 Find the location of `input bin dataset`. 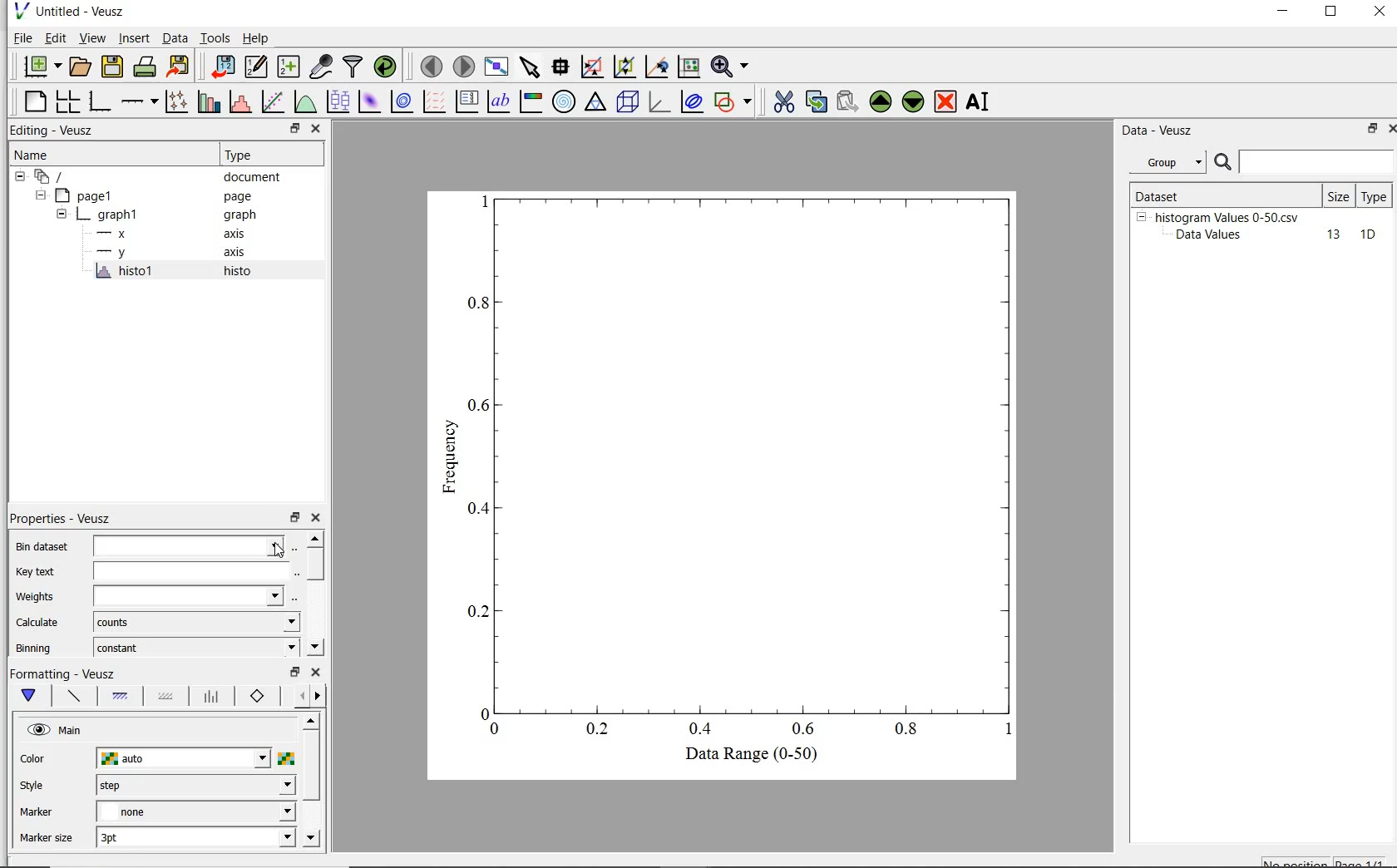

input bin dataset is located at coordinates (189, 546).